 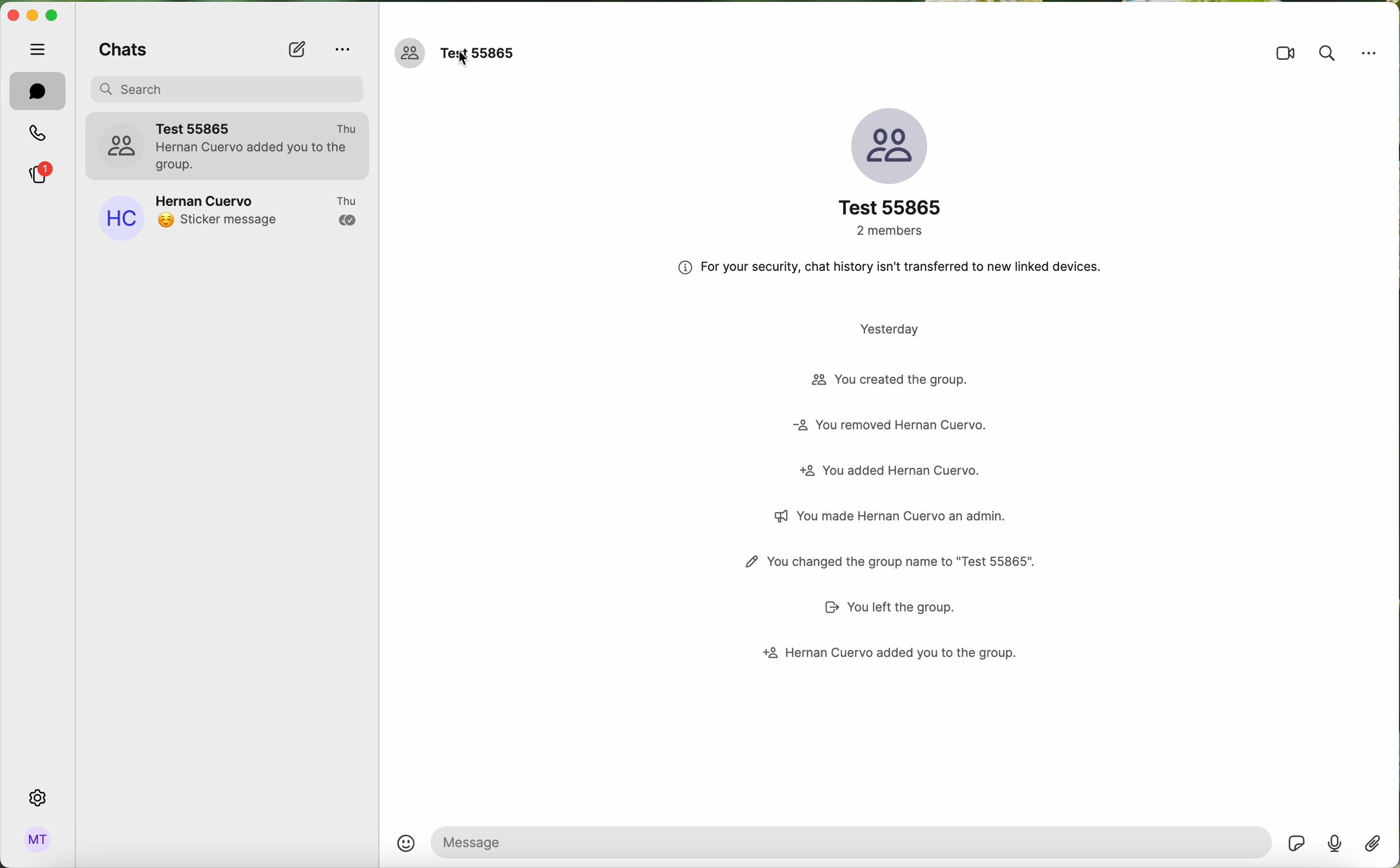 What do you see at coordinates (406, 843) in the screenshot?
I see `emoji` at bounding box center [406, 843].